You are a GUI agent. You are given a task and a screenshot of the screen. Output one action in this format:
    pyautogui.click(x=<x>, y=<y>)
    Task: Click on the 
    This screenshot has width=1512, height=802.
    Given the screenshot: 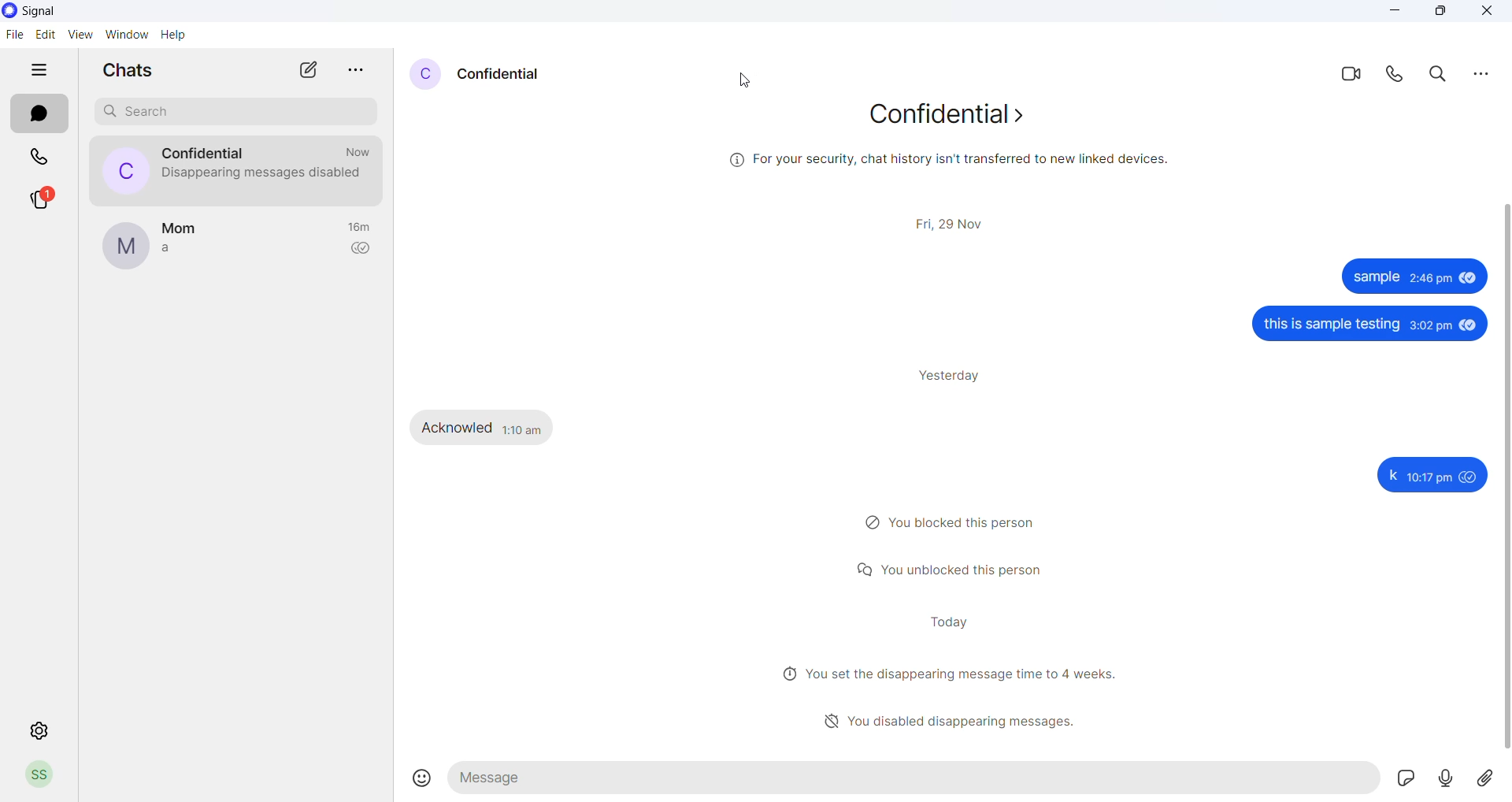 What is the action you would take?
    pyautogui.click(x=1488, y=780)
    